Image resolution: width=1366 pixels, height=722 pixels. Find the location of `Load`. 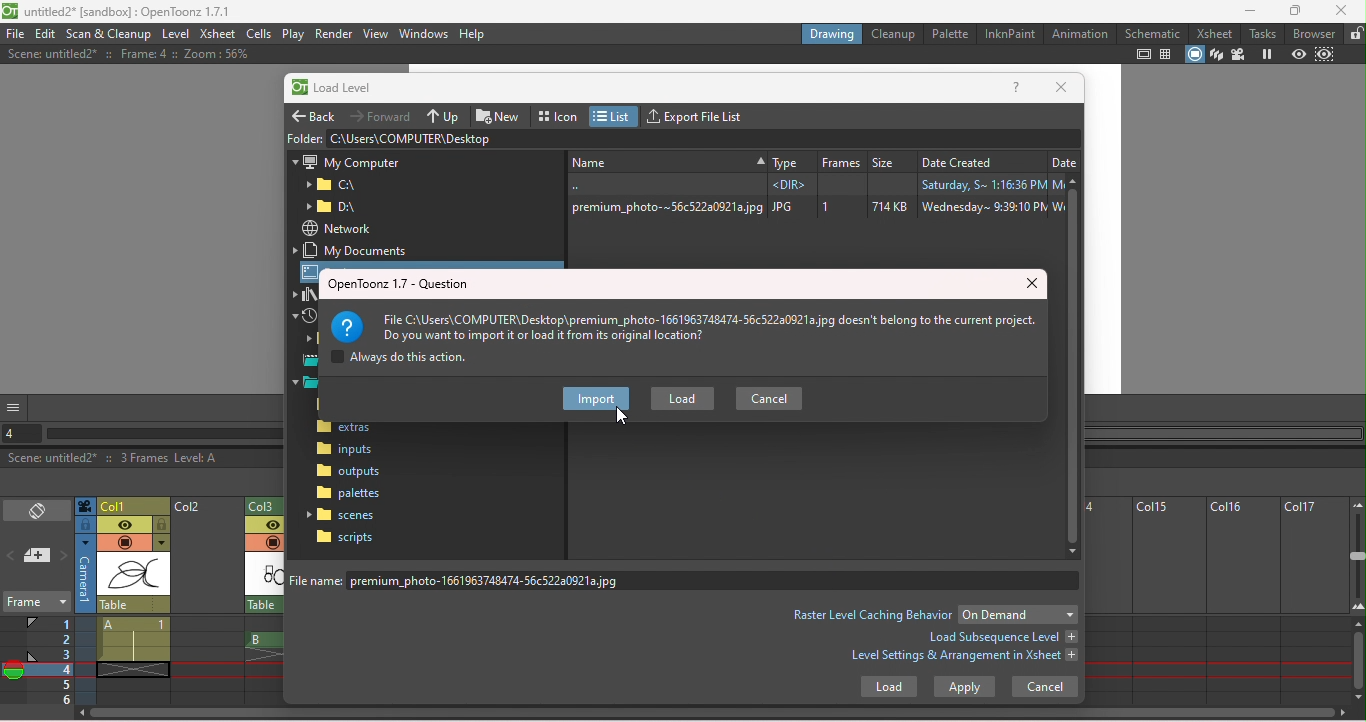

Load is located at coordinates (683, 399).